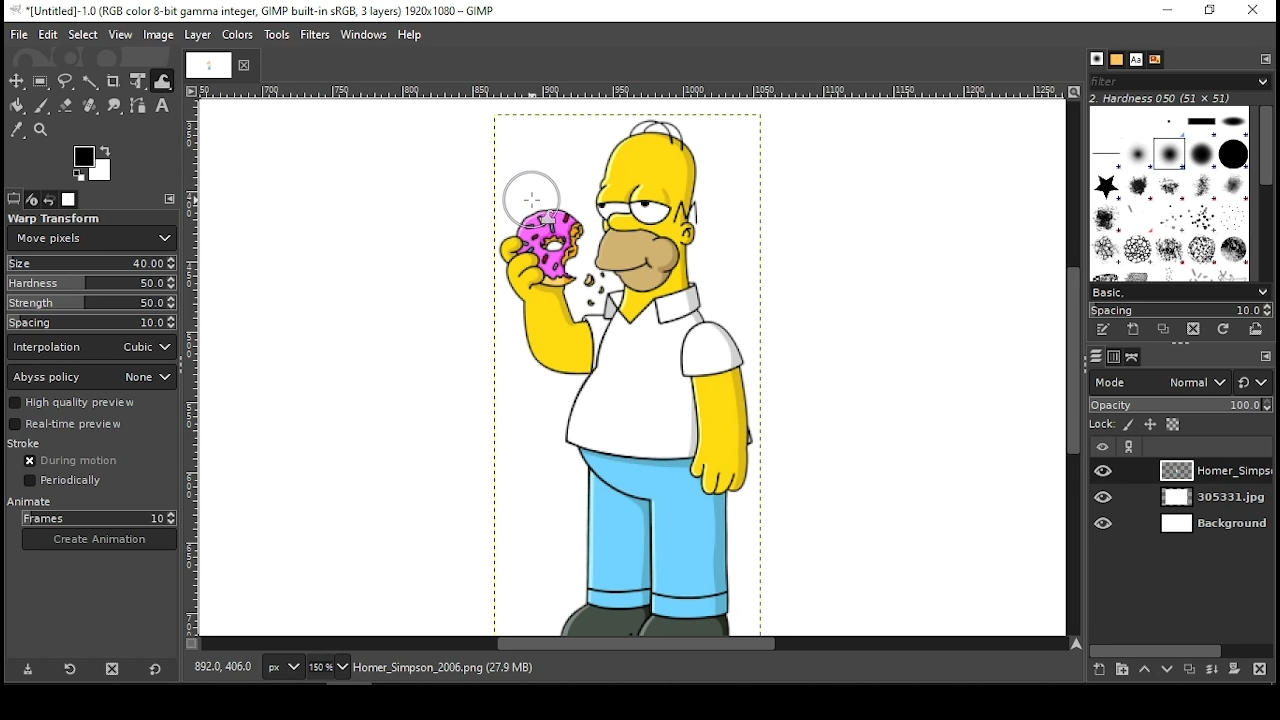  What do you see at coordinates (1146, 672) in the screenshot?
I see `move layer one step up` at bounding box center [1146, 672].